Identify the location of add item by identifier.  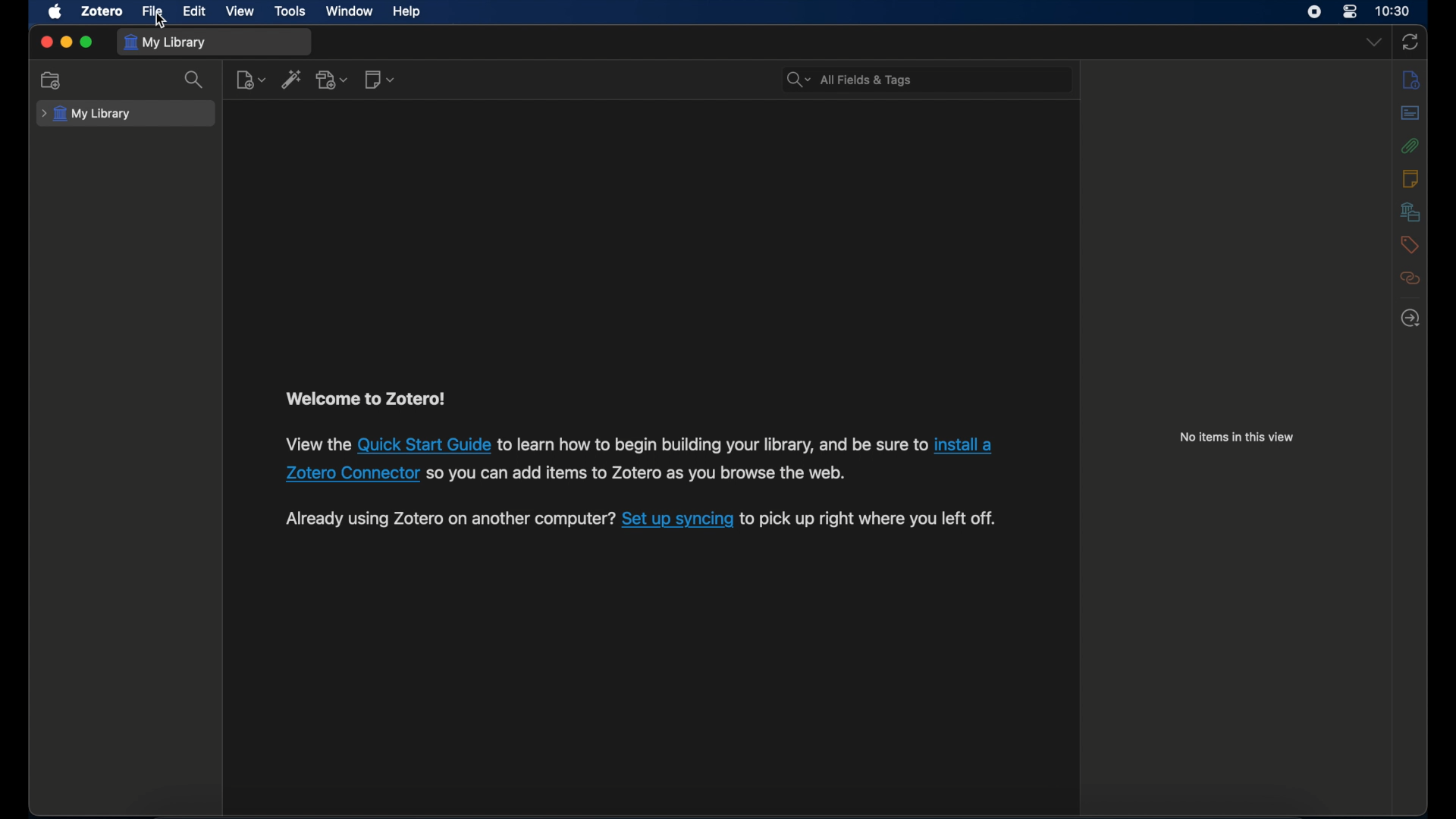
(292, 79).